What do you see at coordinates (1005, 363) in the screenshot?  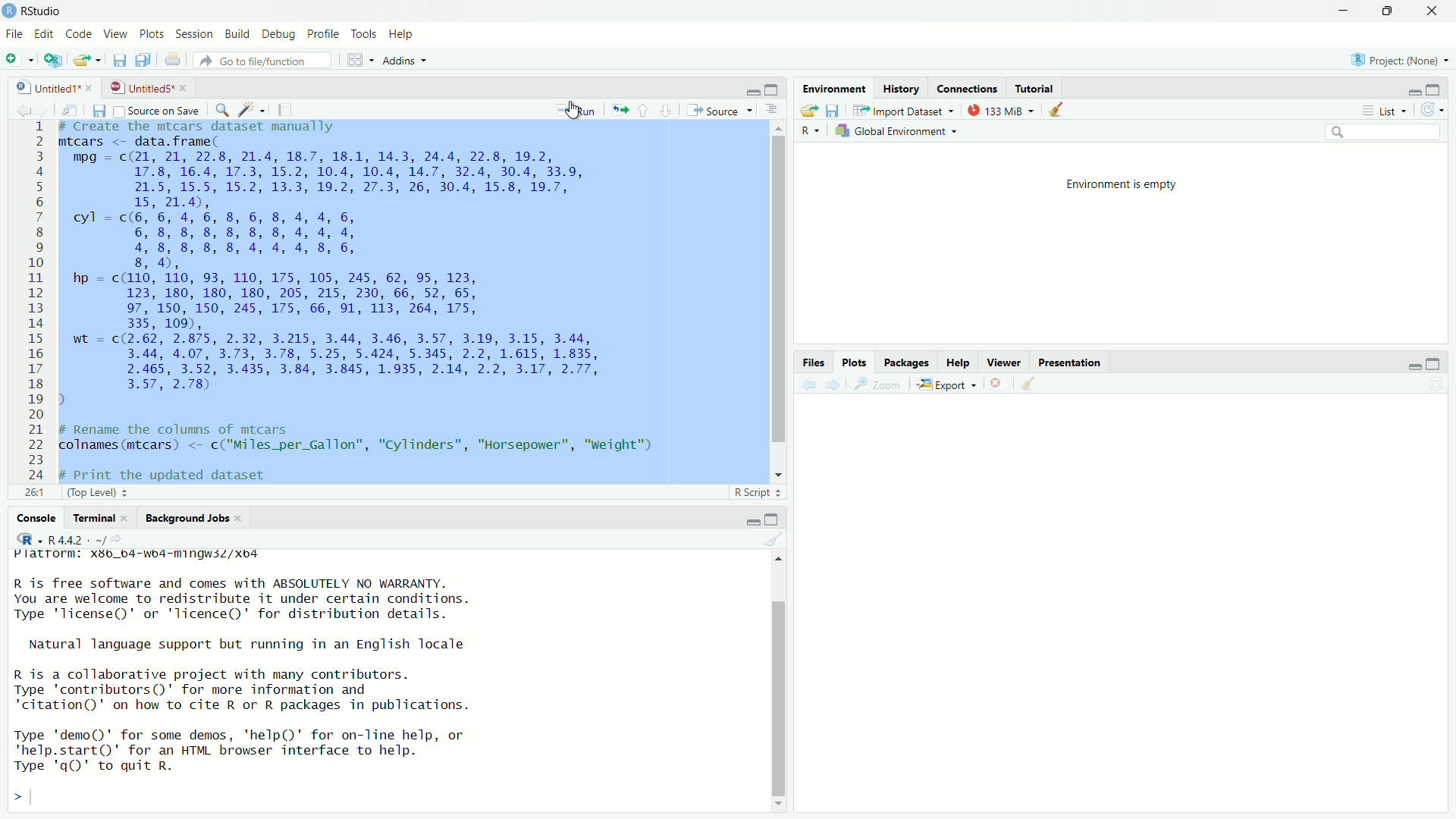 I see `viewer` at bounding box center [1005, 363].